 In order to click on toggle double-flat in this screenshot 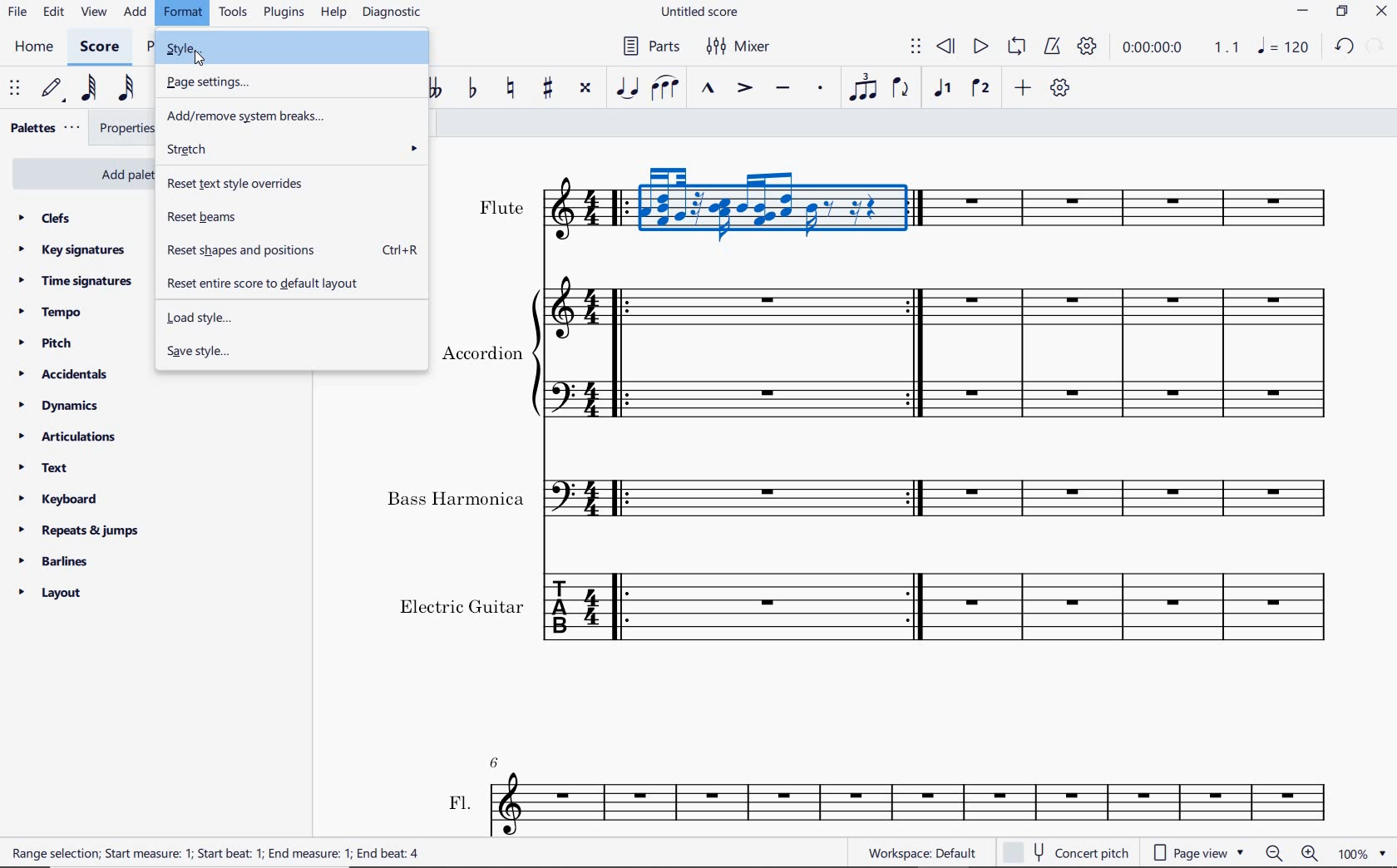, I will do `click(434, 89)`.